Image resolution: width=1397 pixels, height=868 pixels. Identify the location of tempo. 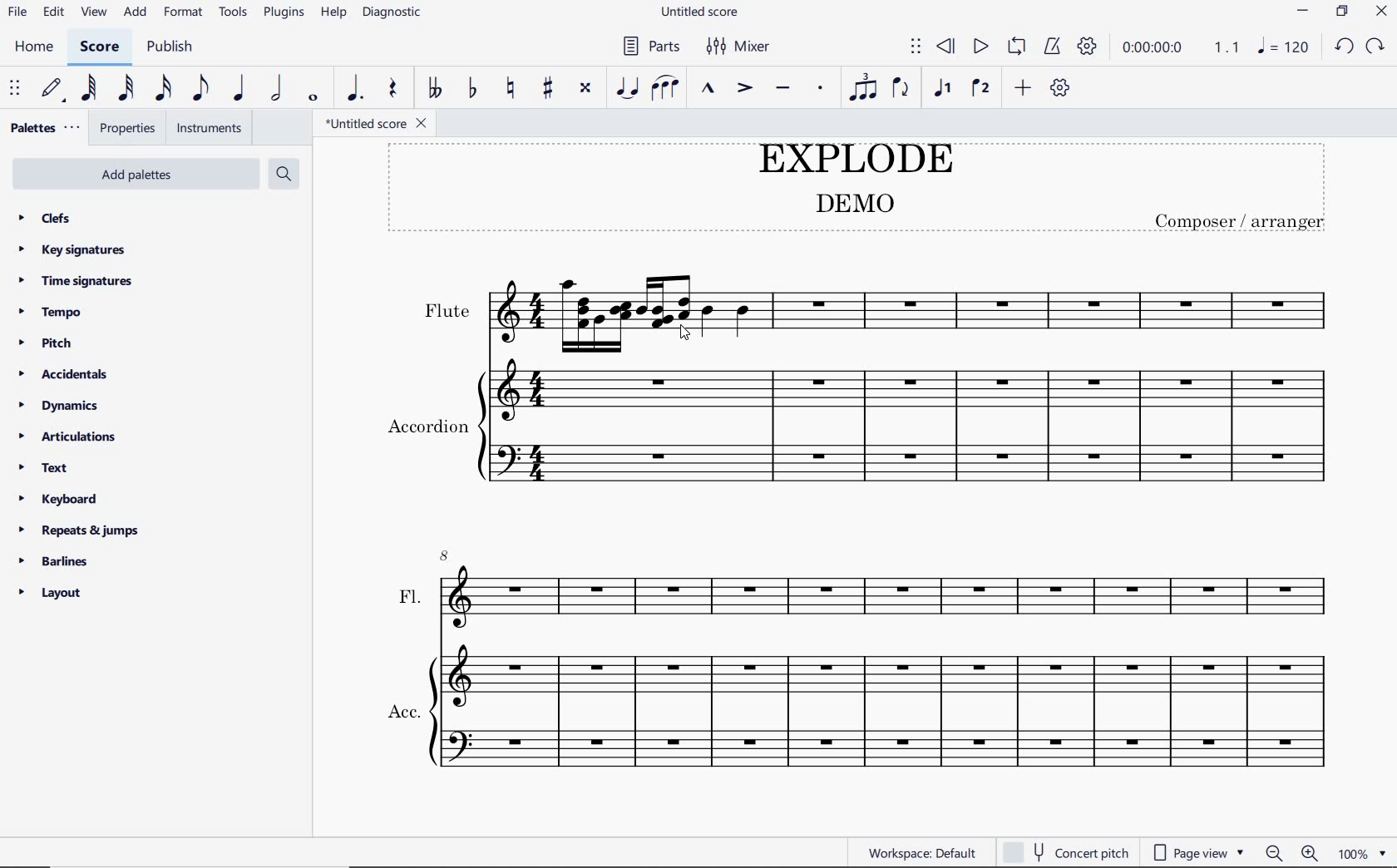
(53, 313).